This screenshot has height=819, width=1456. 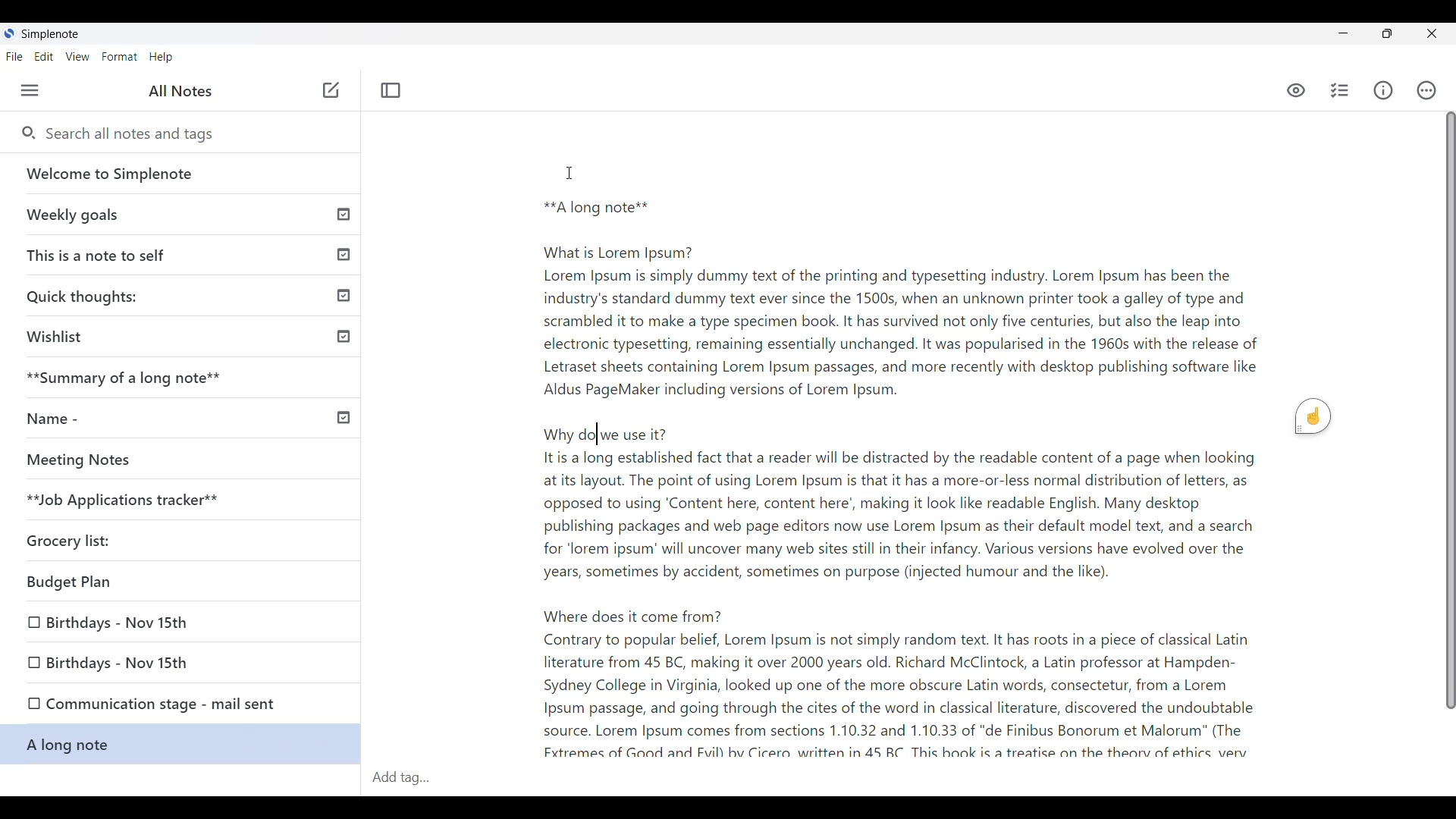 I want to click on Help, so click(x=162, y=58).